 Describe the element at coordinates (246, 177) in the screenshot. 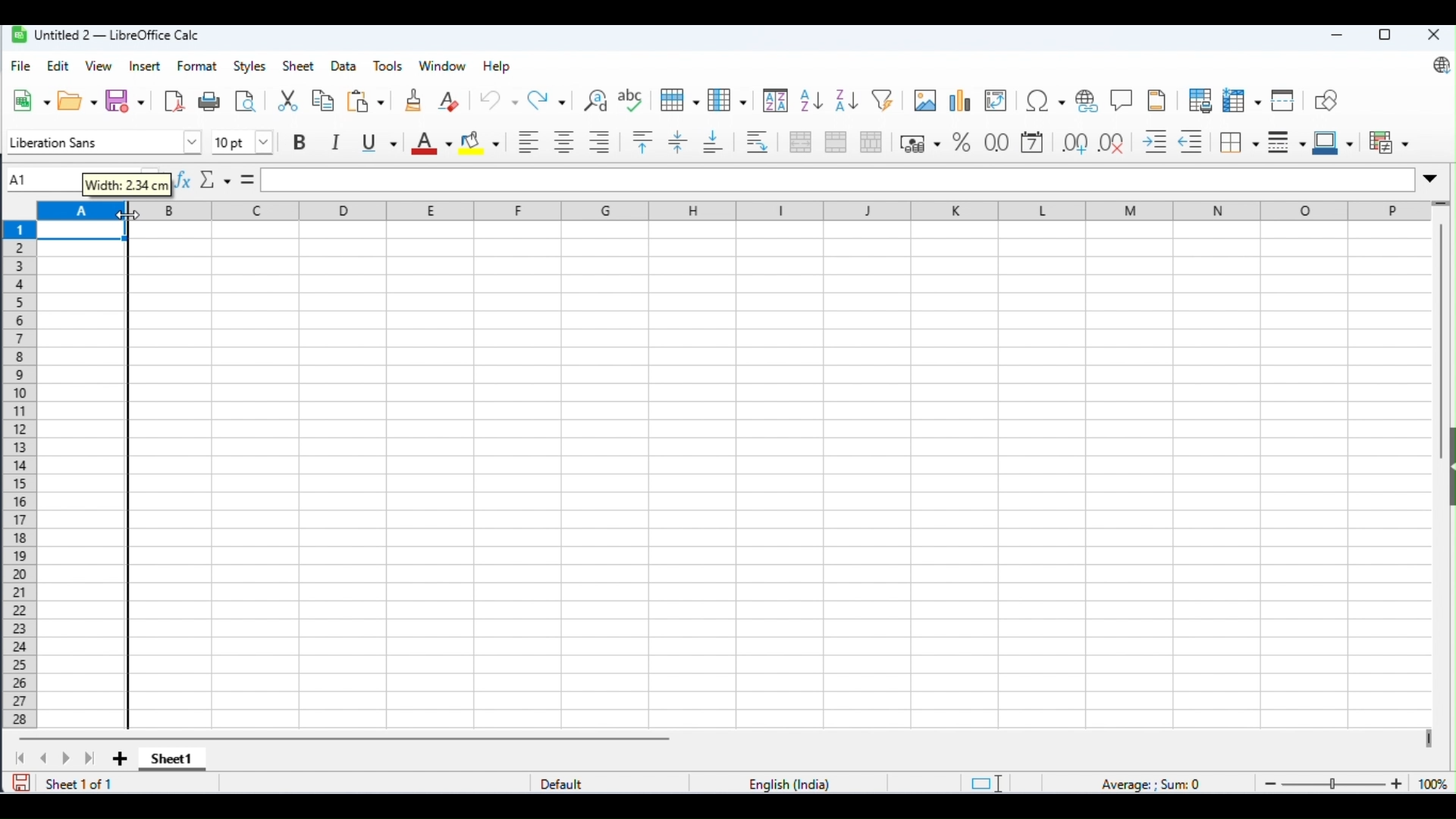

I see `=` at that location.